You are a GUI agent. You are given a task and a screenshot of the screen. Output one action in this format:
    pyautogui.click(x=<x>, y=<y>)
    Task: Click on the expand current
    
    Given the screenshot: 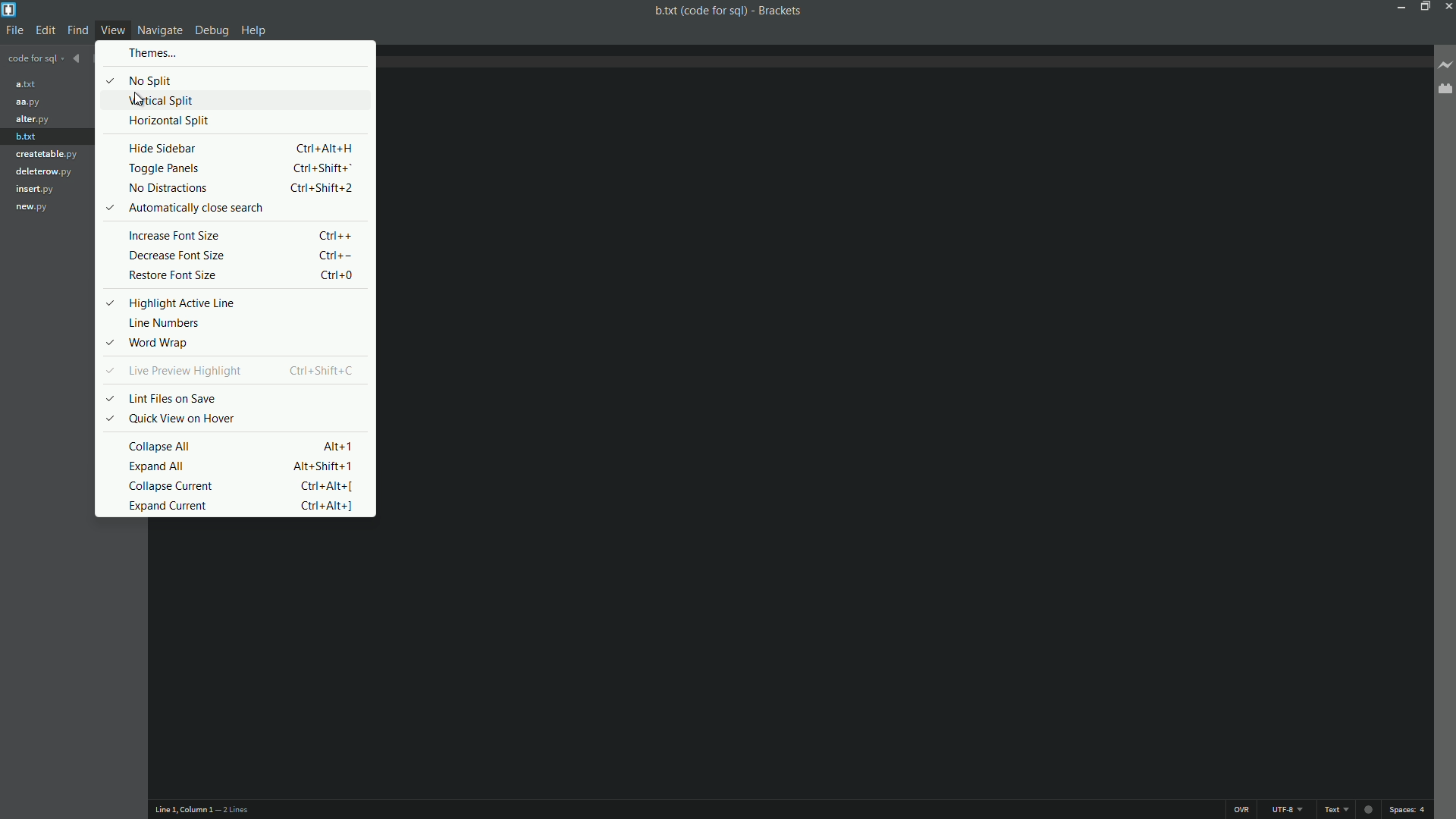 What is the action you would take?
    pyautogui.click(x=242, y=506)
    